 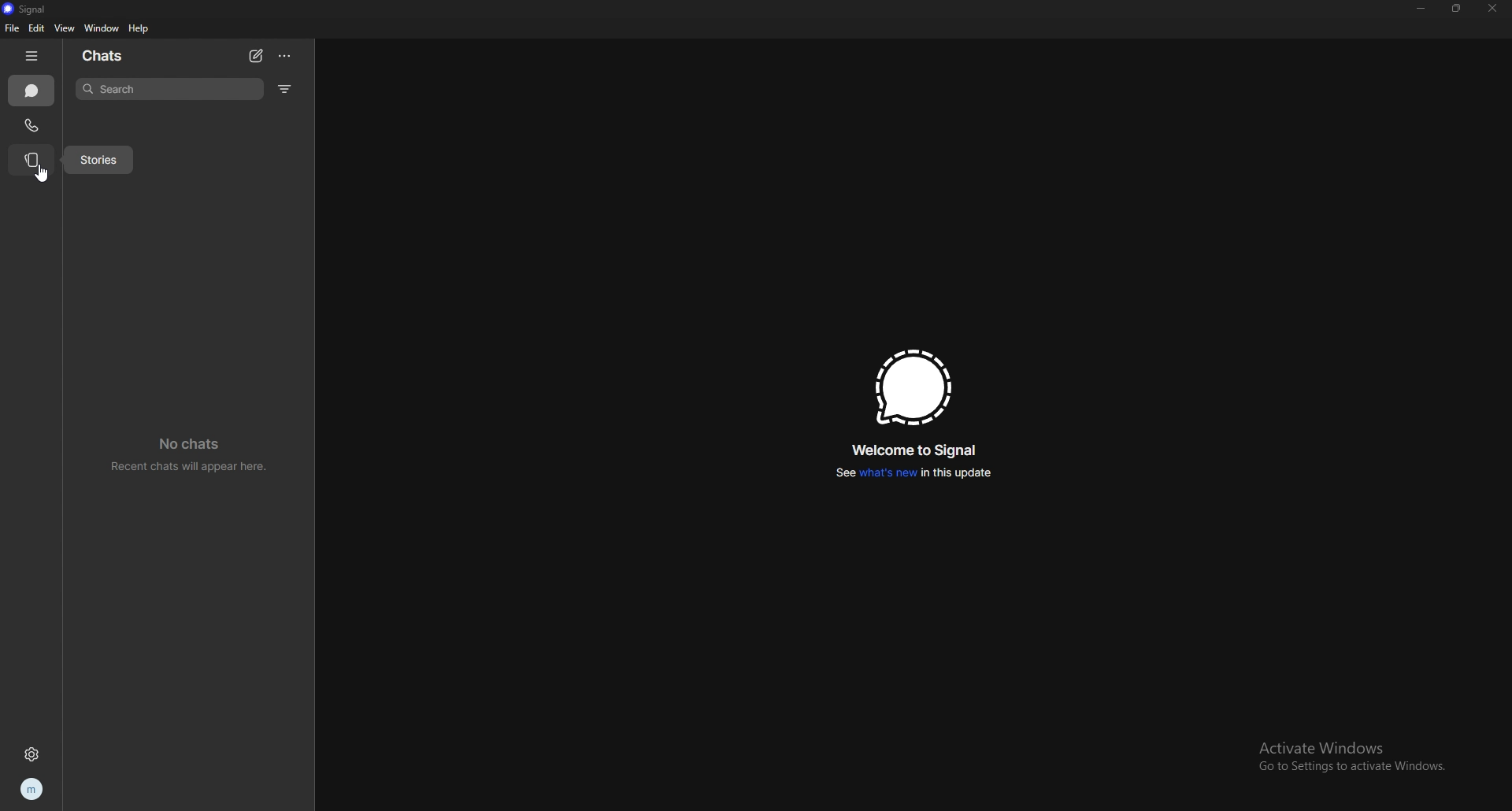 I want to click on chats, so click(x=114, y=56).